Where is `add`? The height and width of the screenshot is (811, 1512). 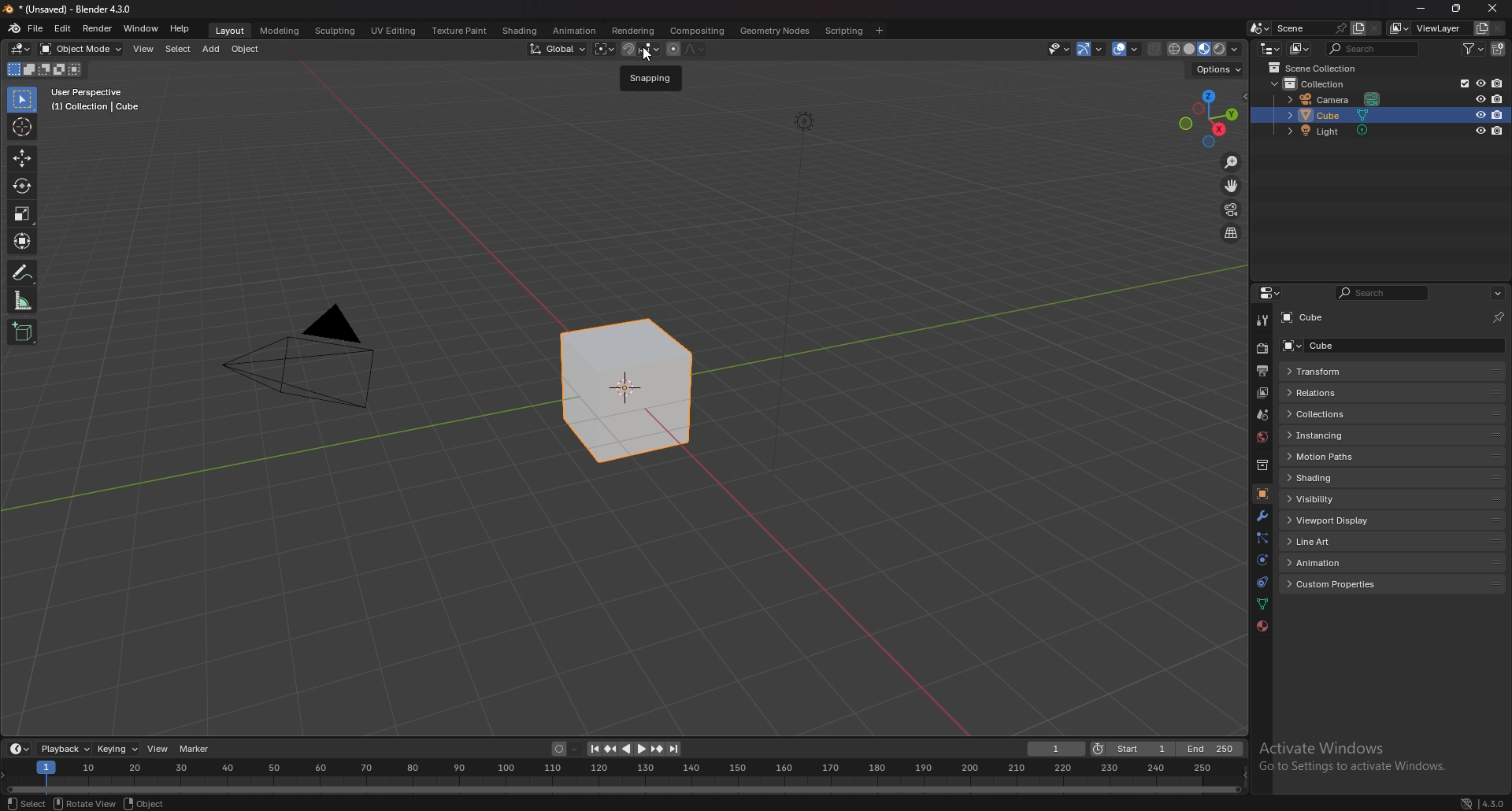
add is located at coordinates (210, 49).